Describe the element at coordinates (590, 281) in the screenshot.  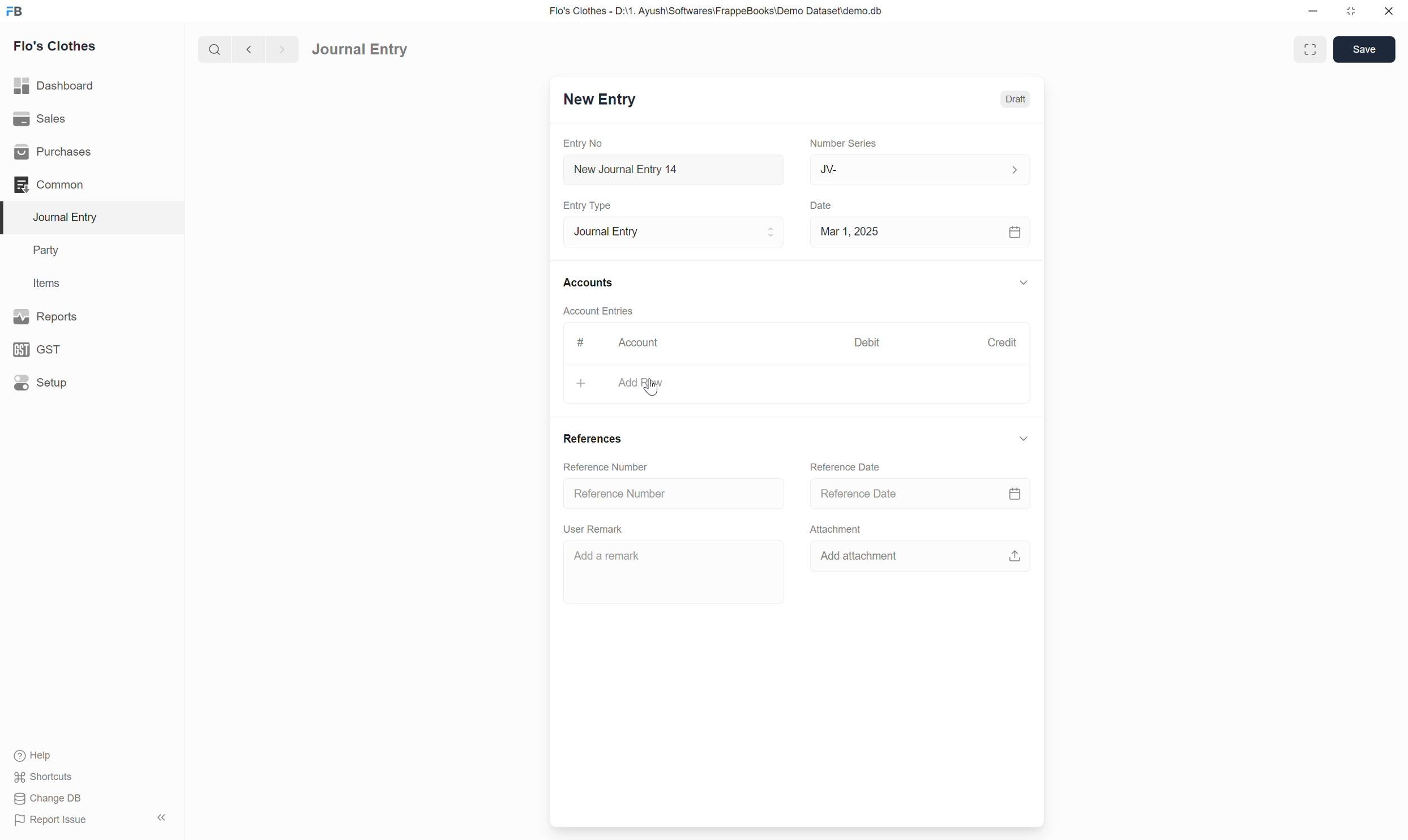
I see `Accounts` at that location.